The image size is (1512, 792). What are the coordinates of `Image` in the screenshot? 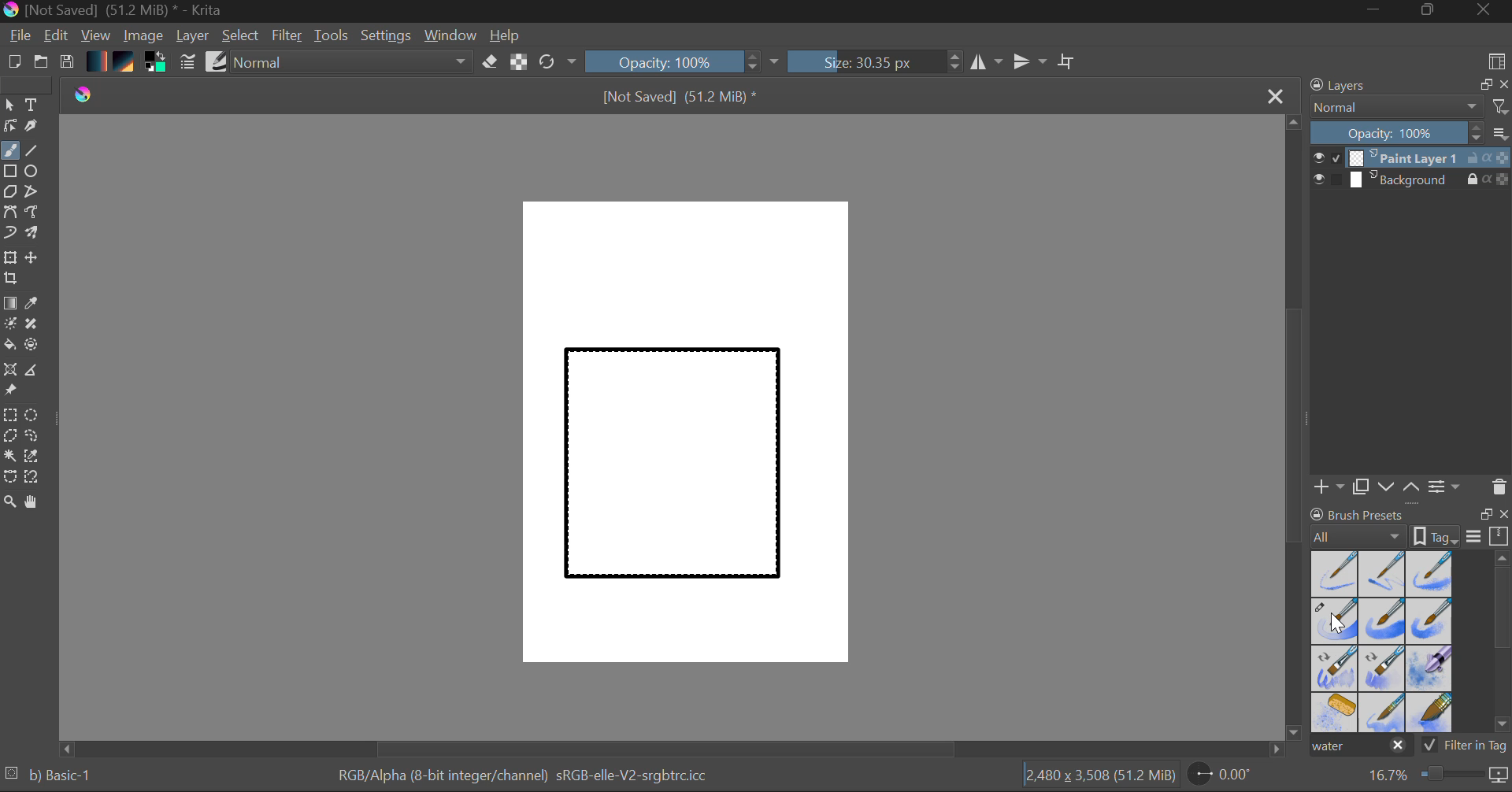 It's located at (145, 37).